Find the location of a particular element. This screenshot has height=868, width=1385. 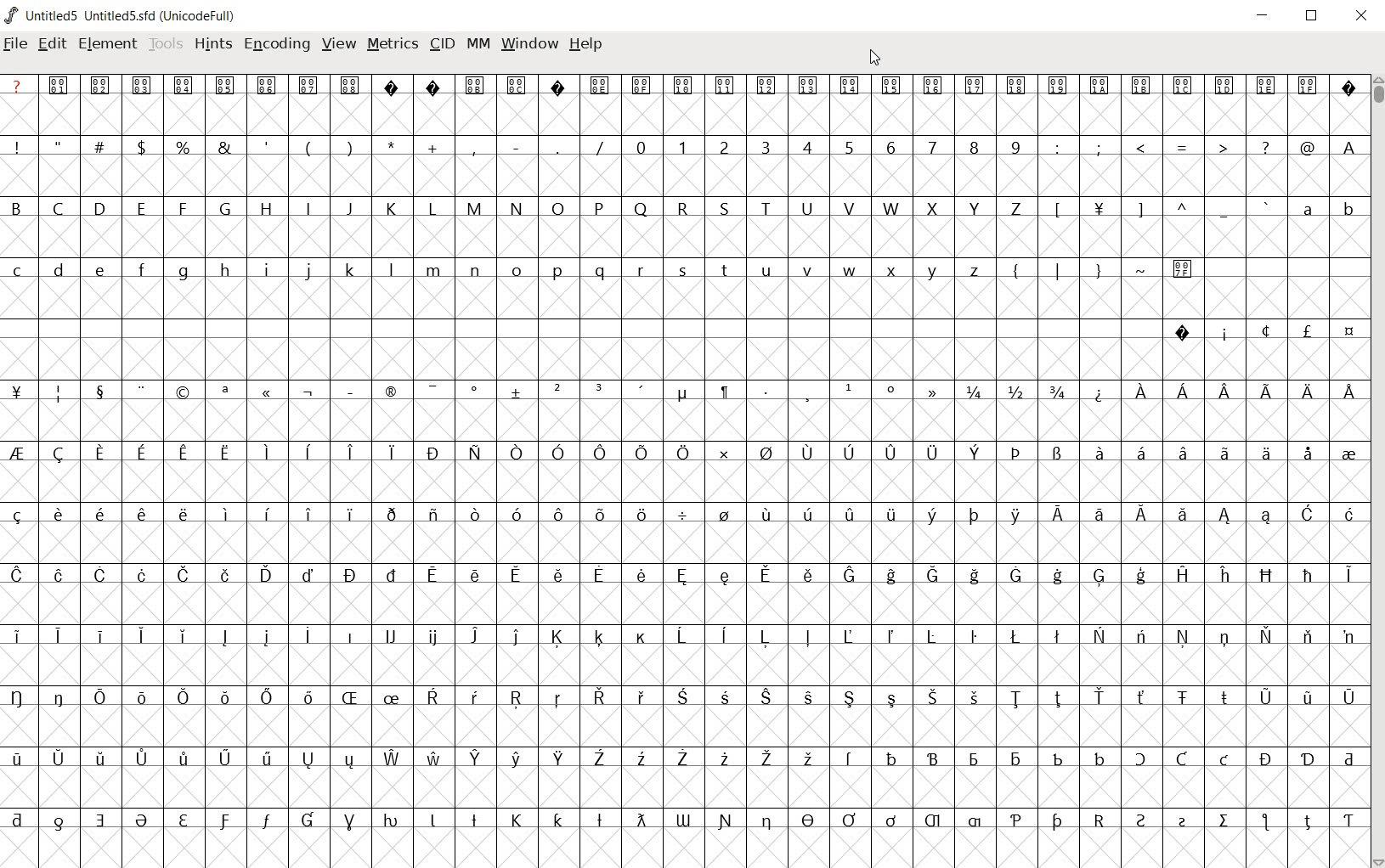

Symbol is located at coordinates (432, 638).